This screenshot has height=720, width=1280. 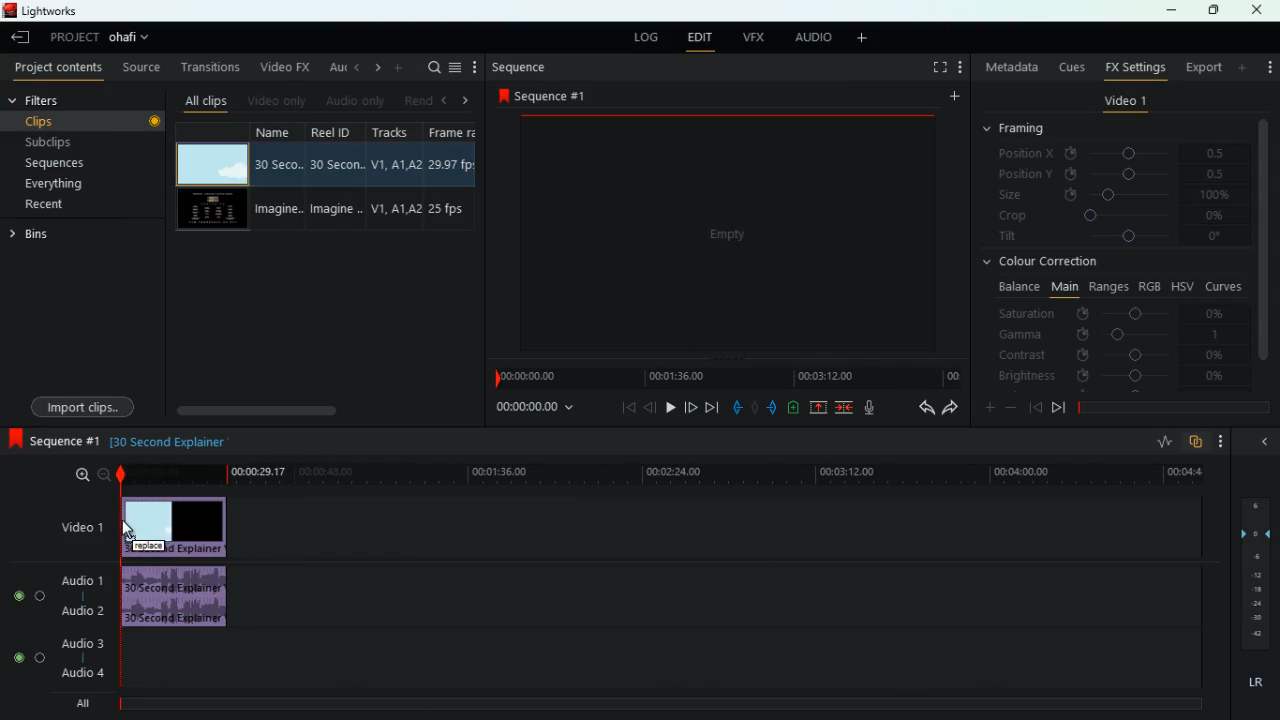 What do you see at coordinates (689, 405) in the screenshot?
I see `front` at bounding box center [689, 405].